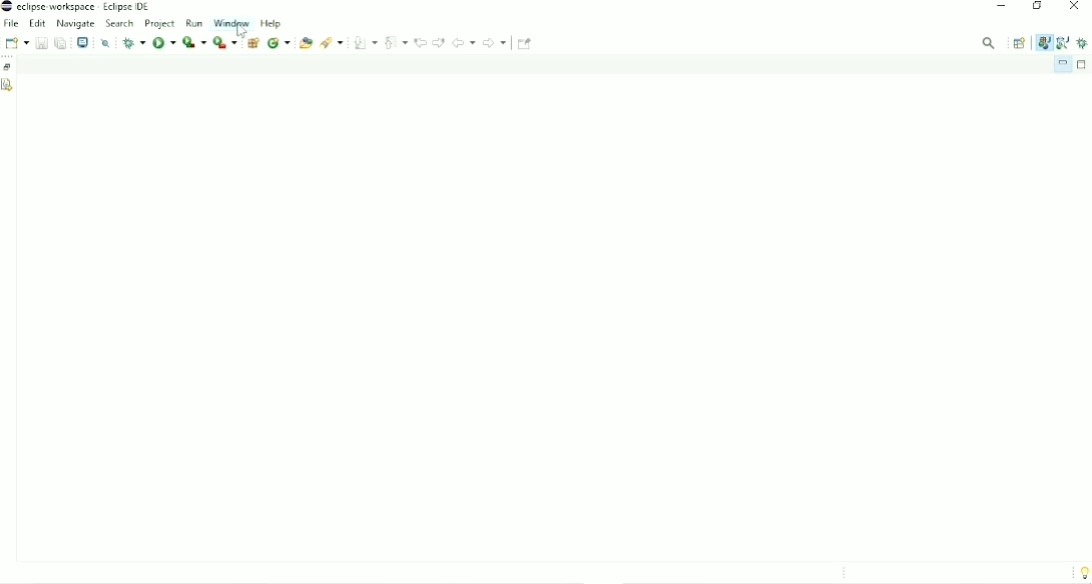  I want to click on Navigate, so click(76, 23).